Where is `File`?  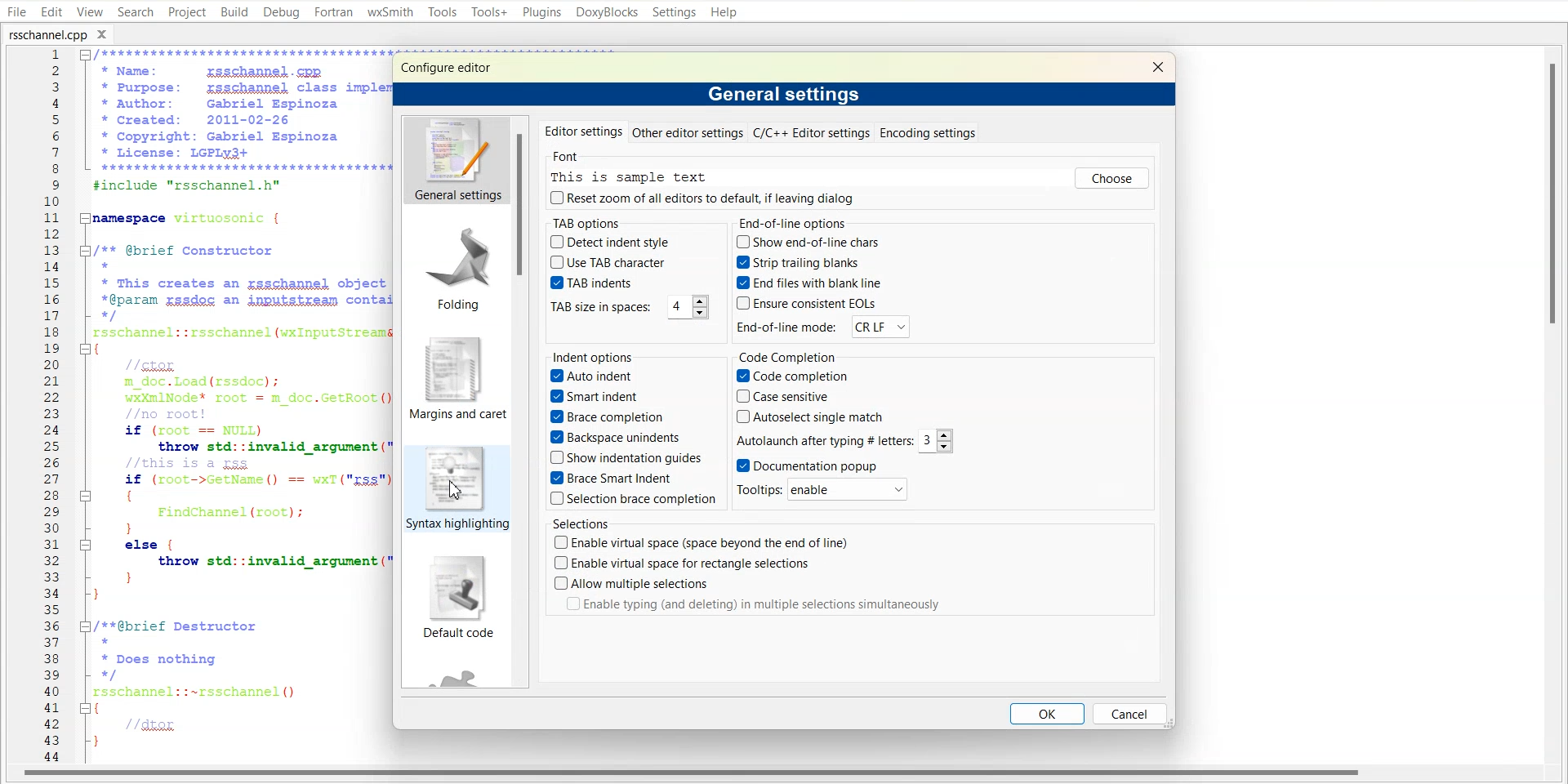
File is located at coordinates (15, 11).